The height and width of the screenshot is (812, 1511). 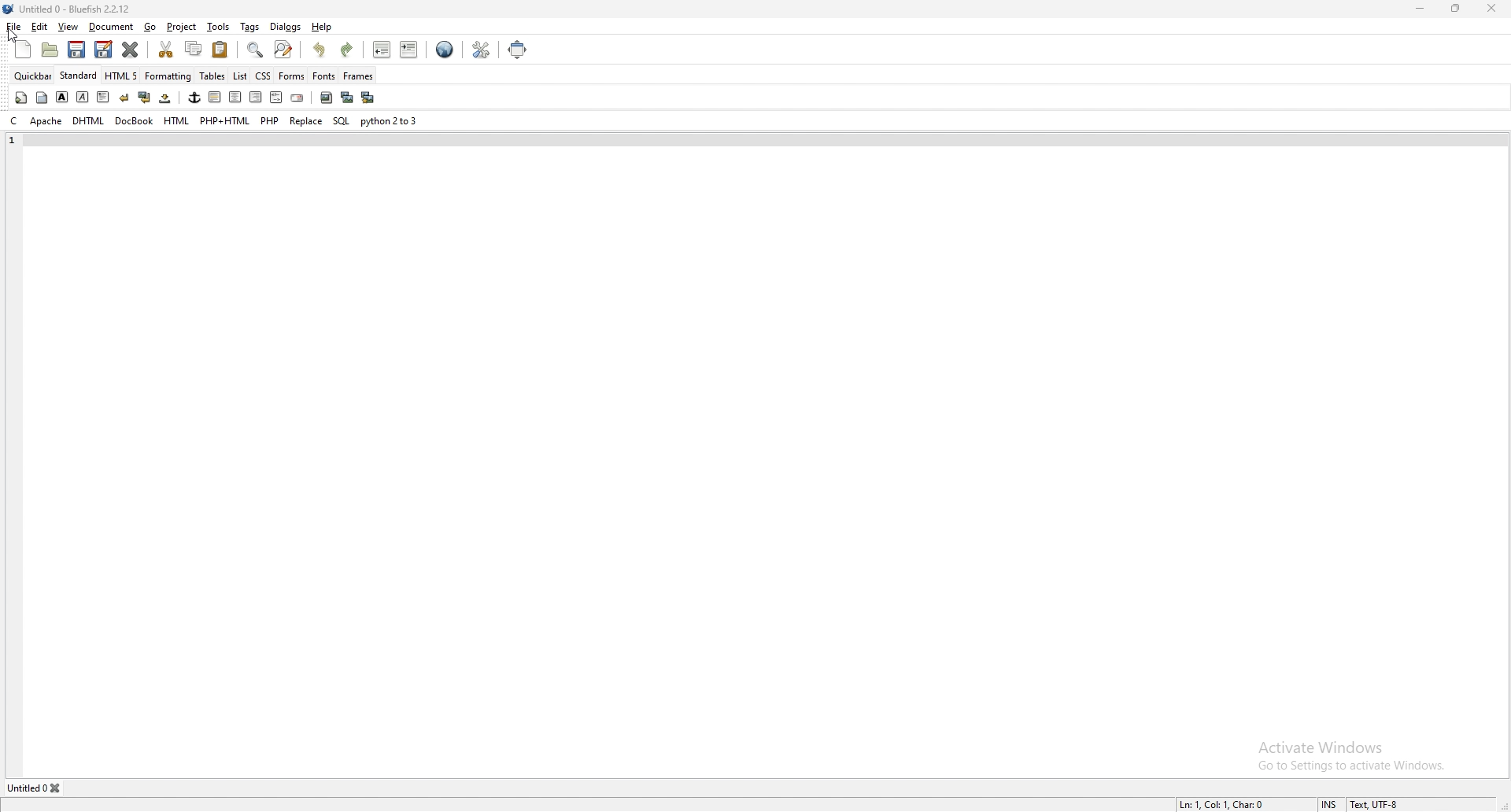 I want to click on indent, so click(x=410, y=49).